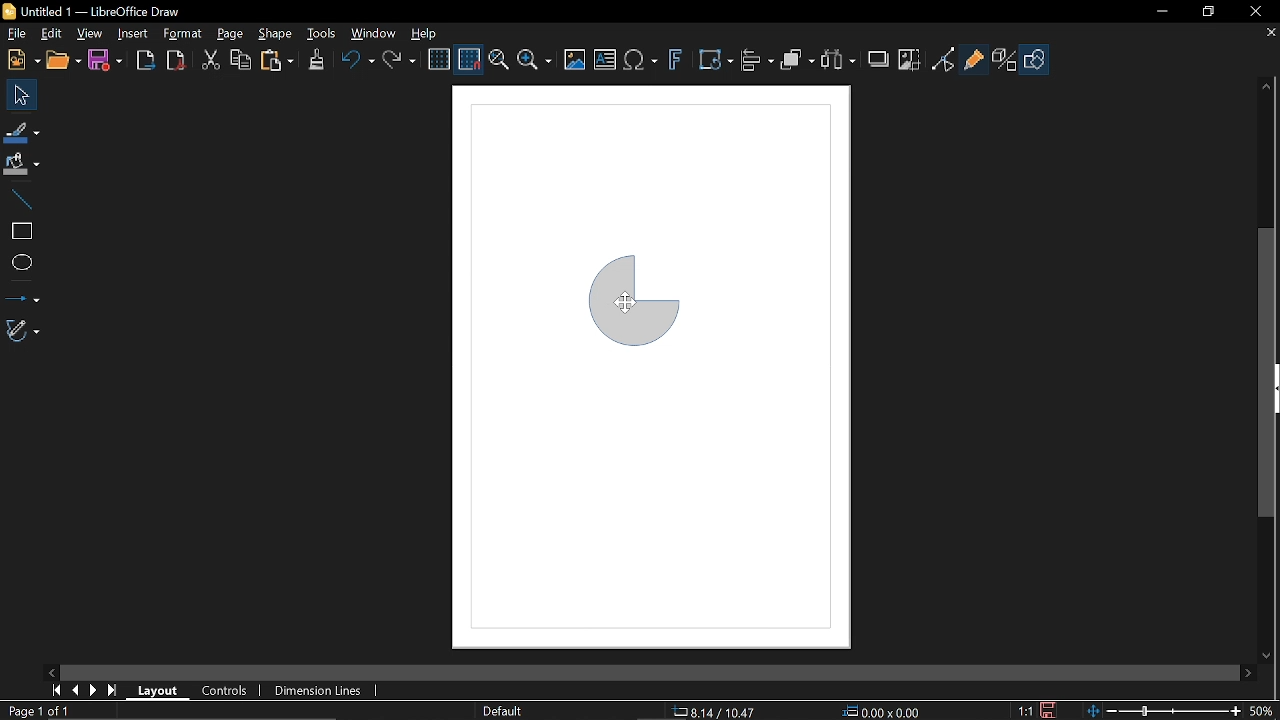 This screenshot has height=720, width=1280. Describe the element at coordinates (374, 35) in the screenshot. I see `Window` at that location.